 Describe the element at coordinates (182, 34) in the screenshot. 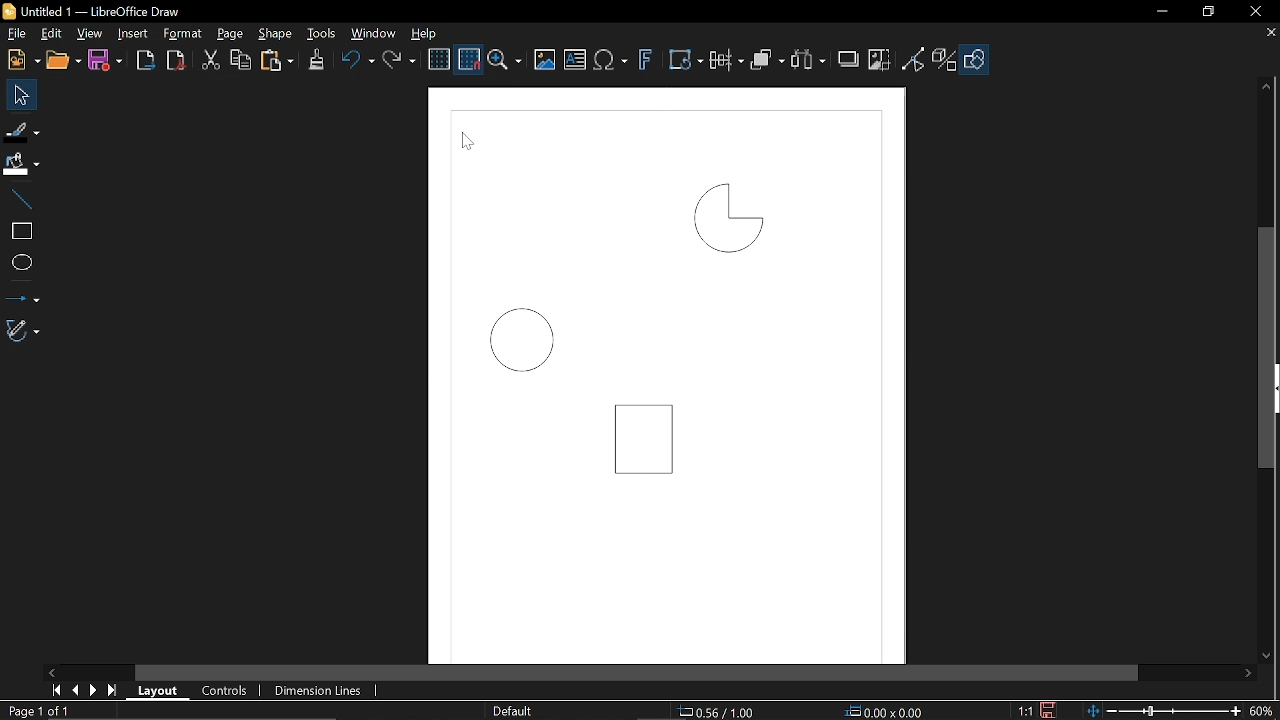

I see `Format` at that location.